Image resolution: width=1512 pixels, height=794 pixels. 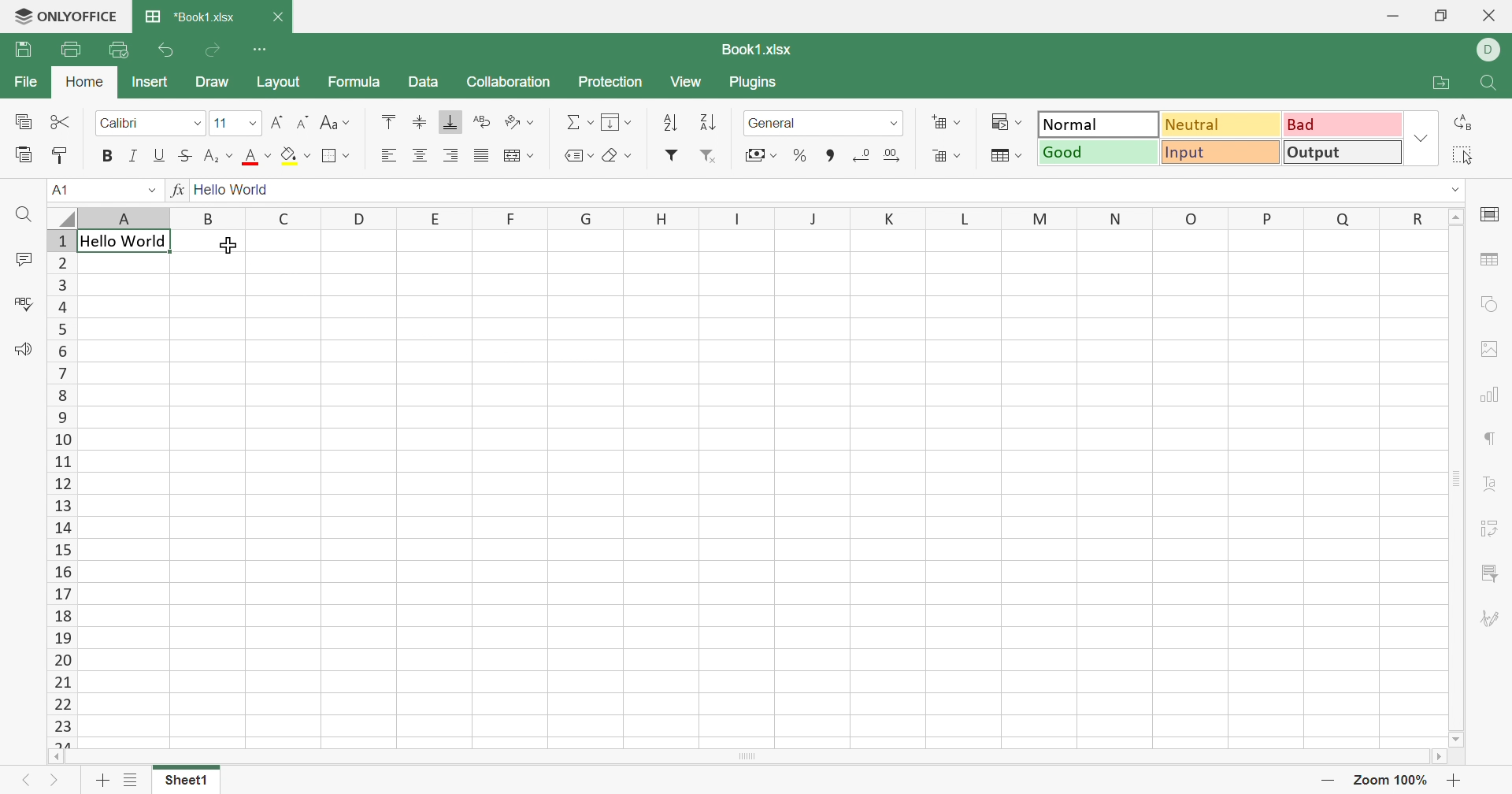 I want to click on Save, so click(x=24, y=50).